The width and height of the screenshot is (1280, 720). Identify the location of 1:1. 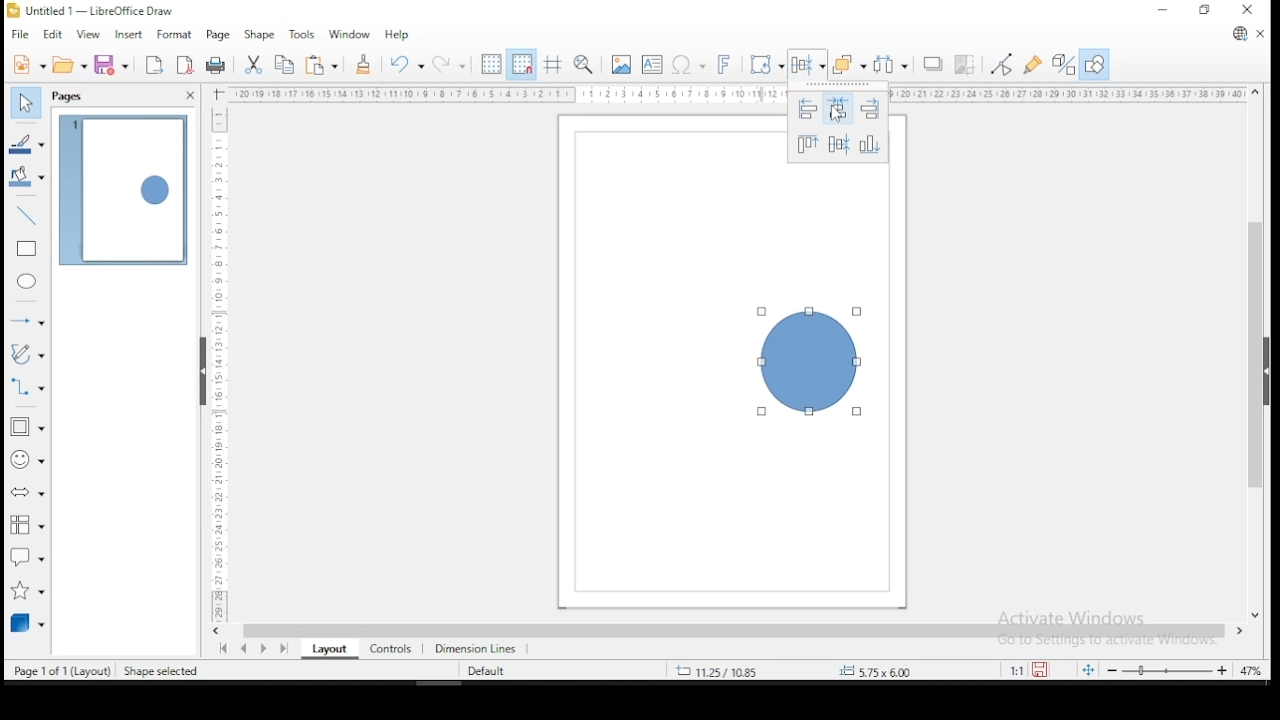
(1015, 670).